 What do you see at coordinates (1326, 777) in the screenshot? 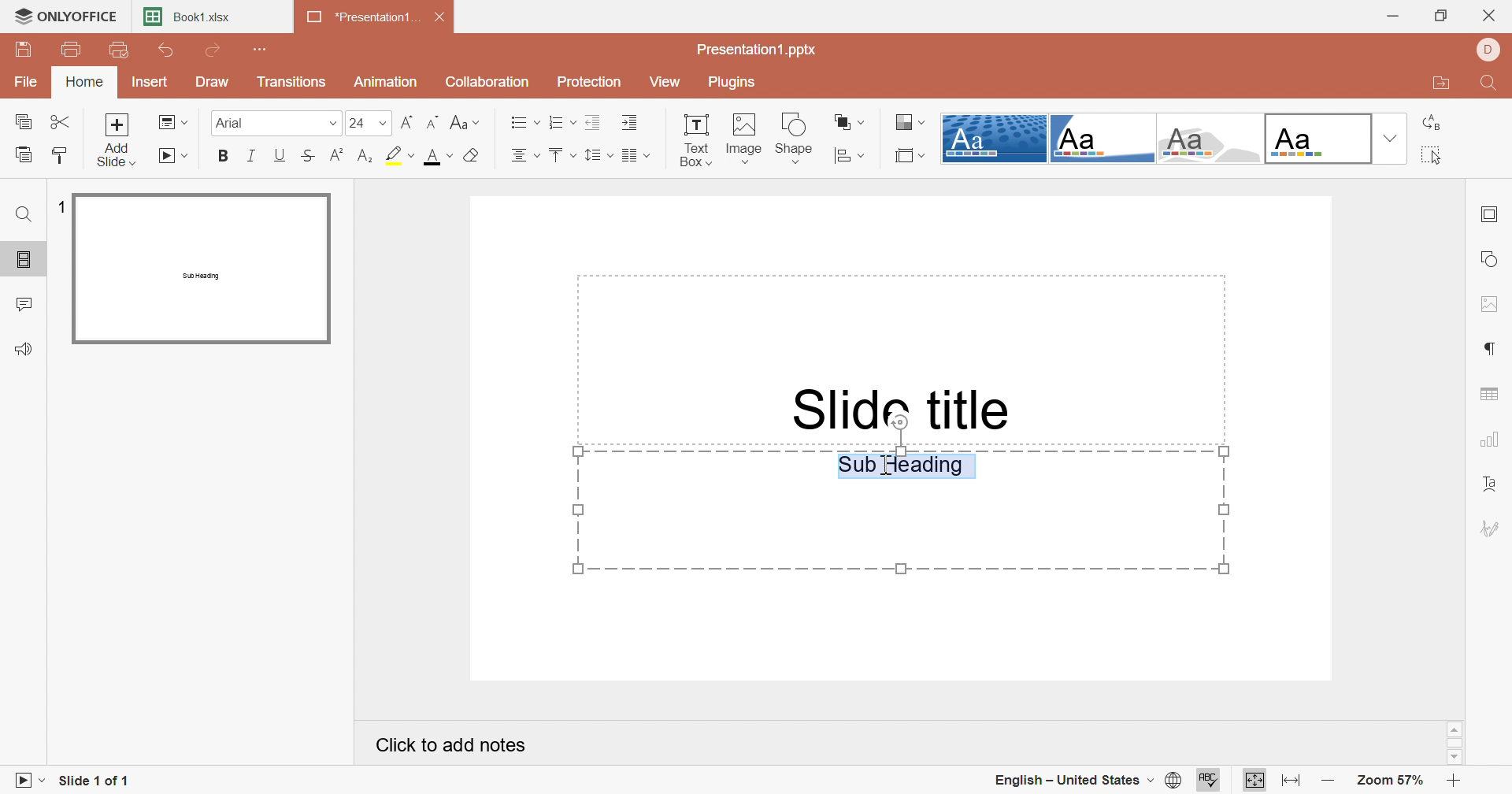
I see `Zoom out` at bounding box center [1326, 777].